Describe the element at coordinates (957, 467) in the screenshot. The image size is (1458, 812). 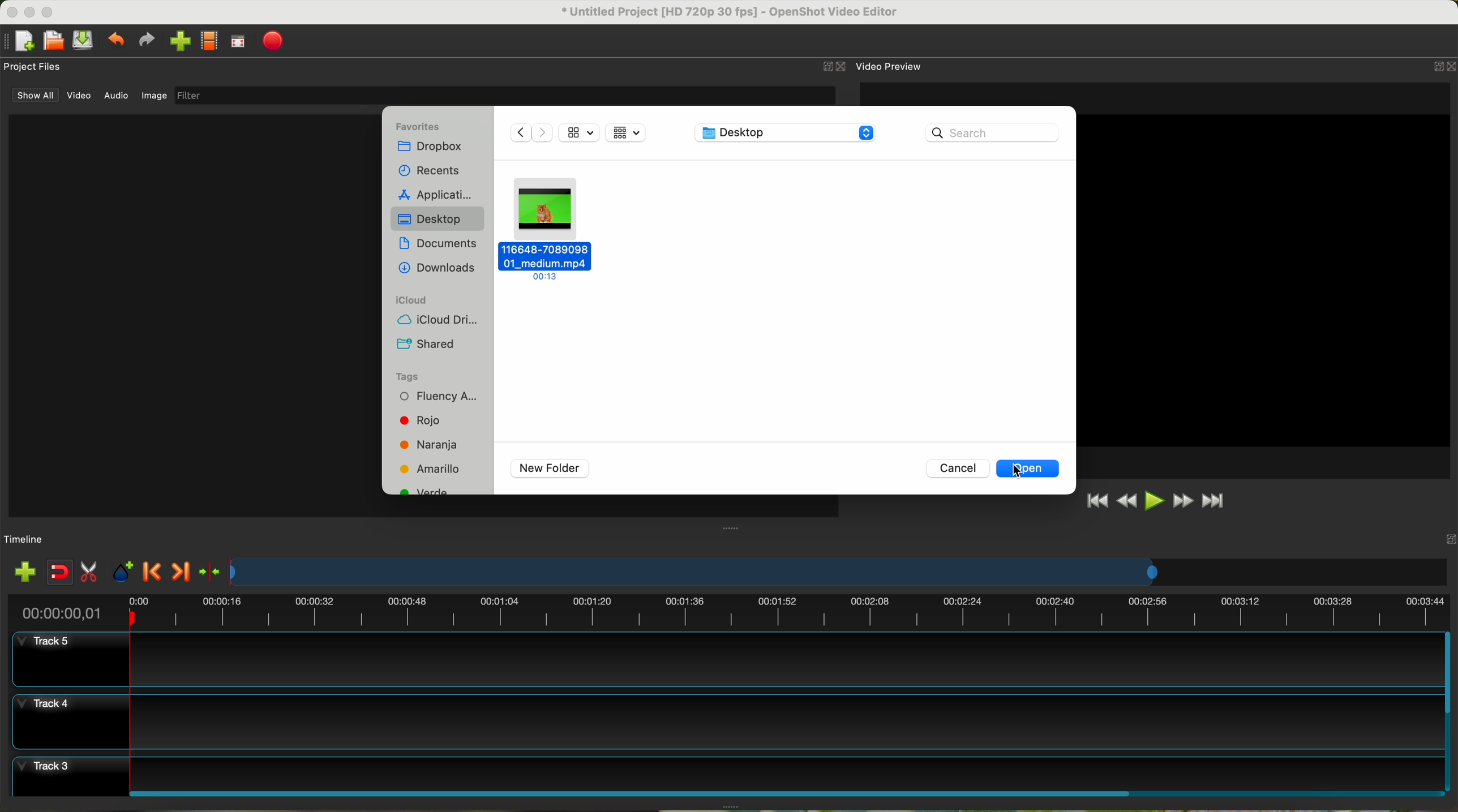
I see `cancel button` at that location.